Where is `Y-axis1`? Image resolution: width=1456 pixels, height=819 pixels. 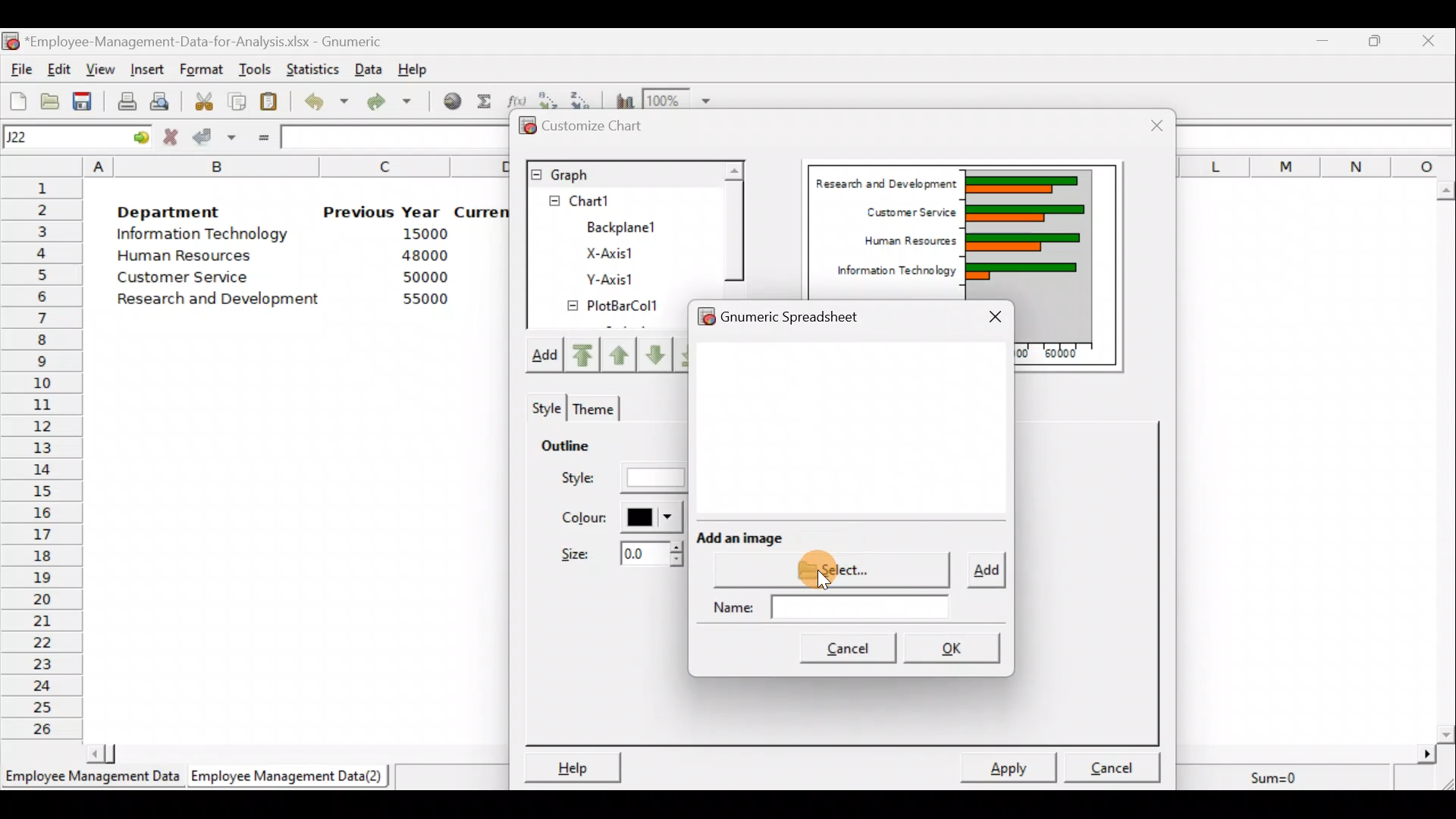 Y-axis1 is located at coordinates (608, 281).